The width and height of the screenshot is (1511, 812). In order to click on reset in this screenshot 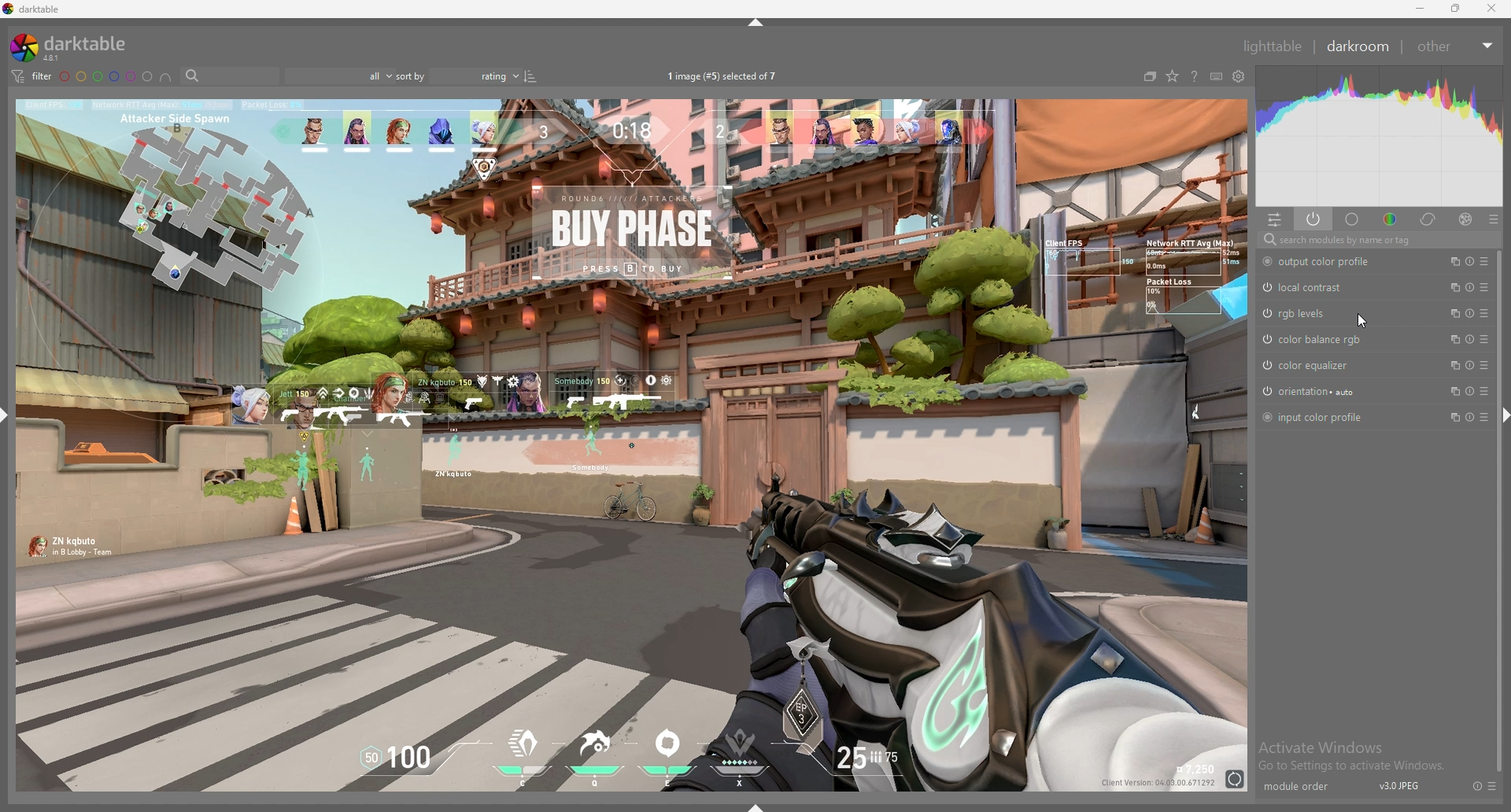, I will do `click(1469, 339)`.